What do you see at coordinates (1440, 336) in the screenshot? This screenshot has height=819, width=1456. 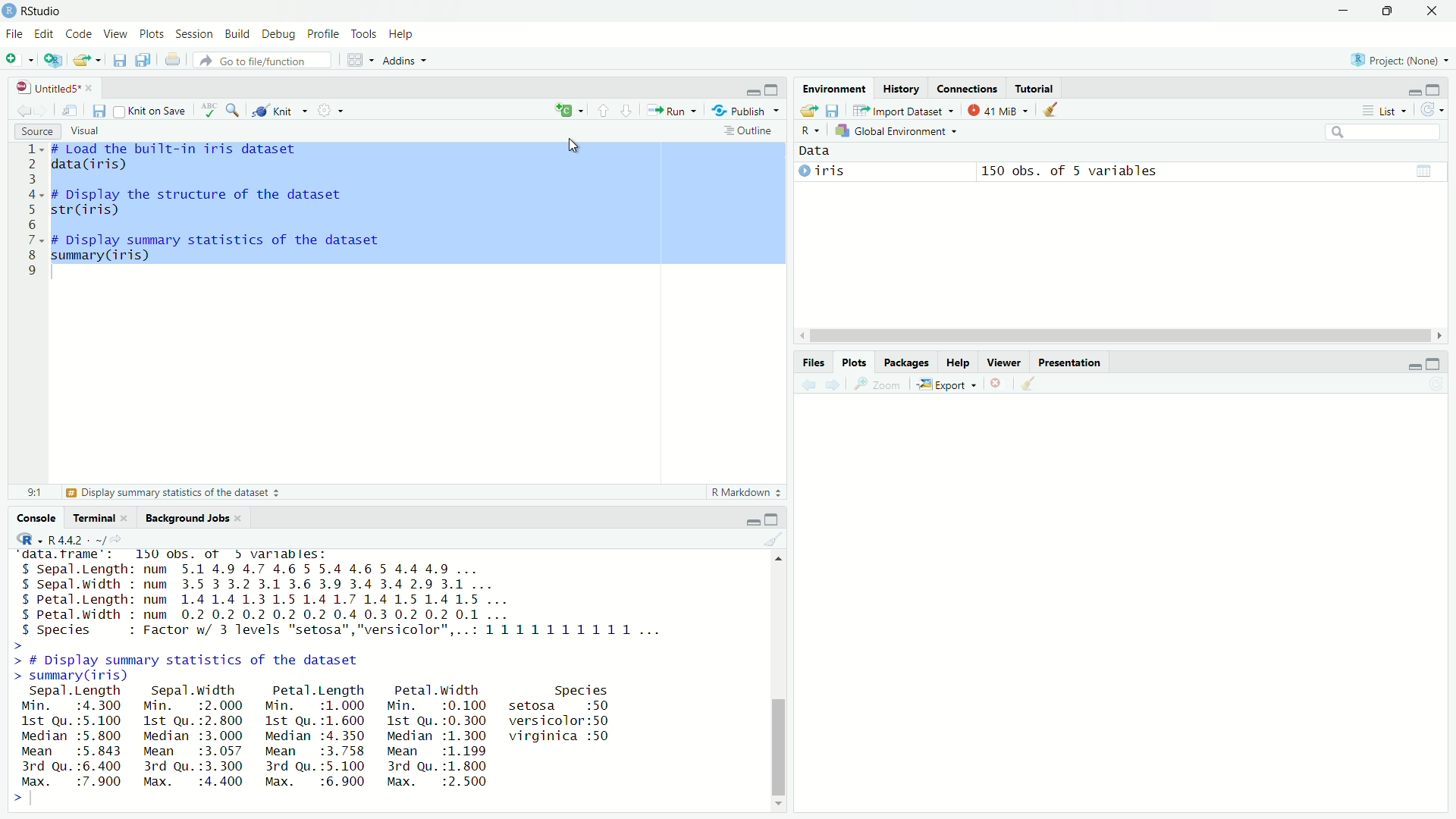 I see `Scroll Right` at bounding box center [1440, 336].